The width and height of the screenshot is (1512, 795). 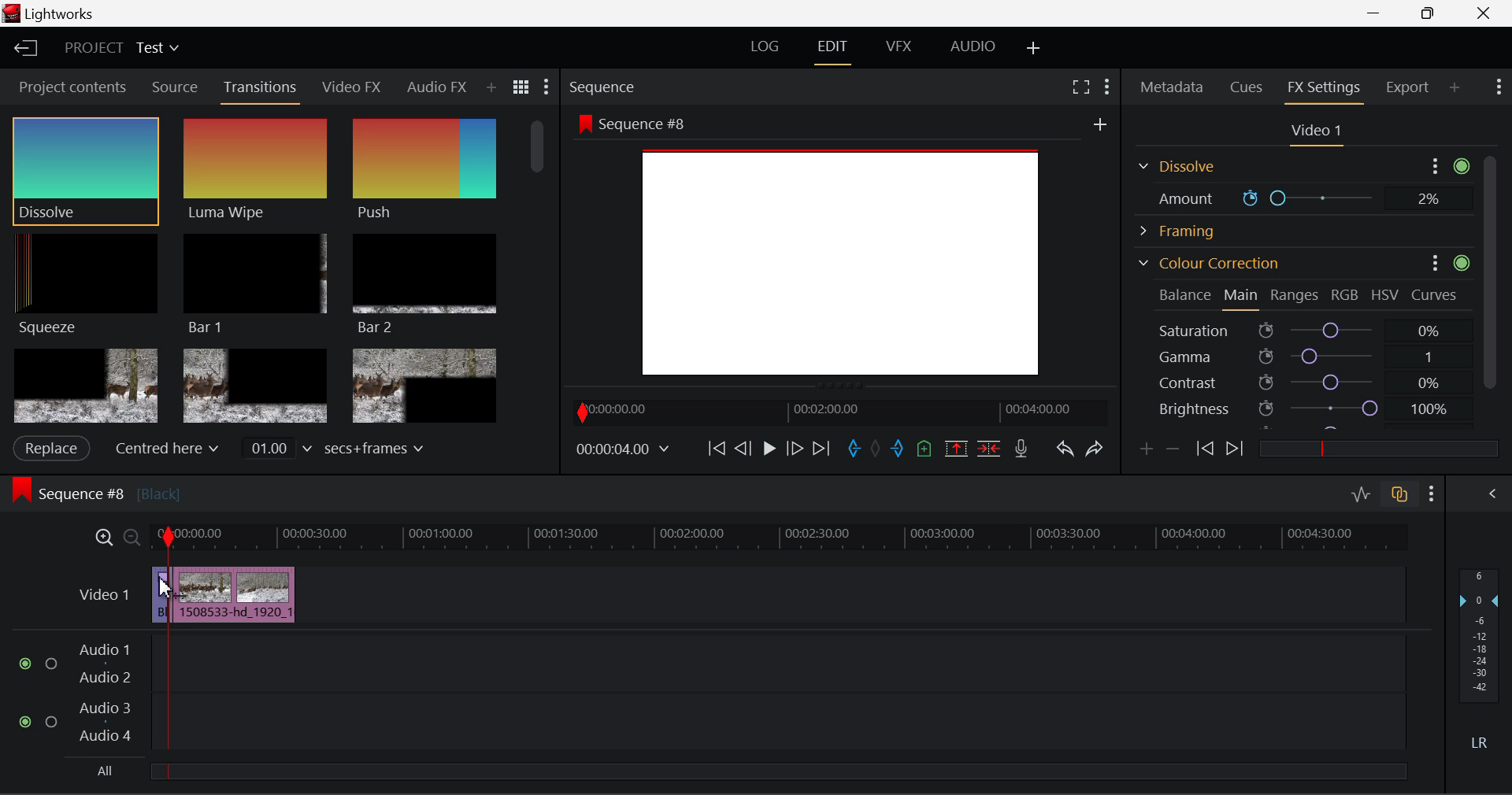 What do you see at coordinates (422, 386) in the screenshot?
I see `Box 3` at bounding box center [422, 386].